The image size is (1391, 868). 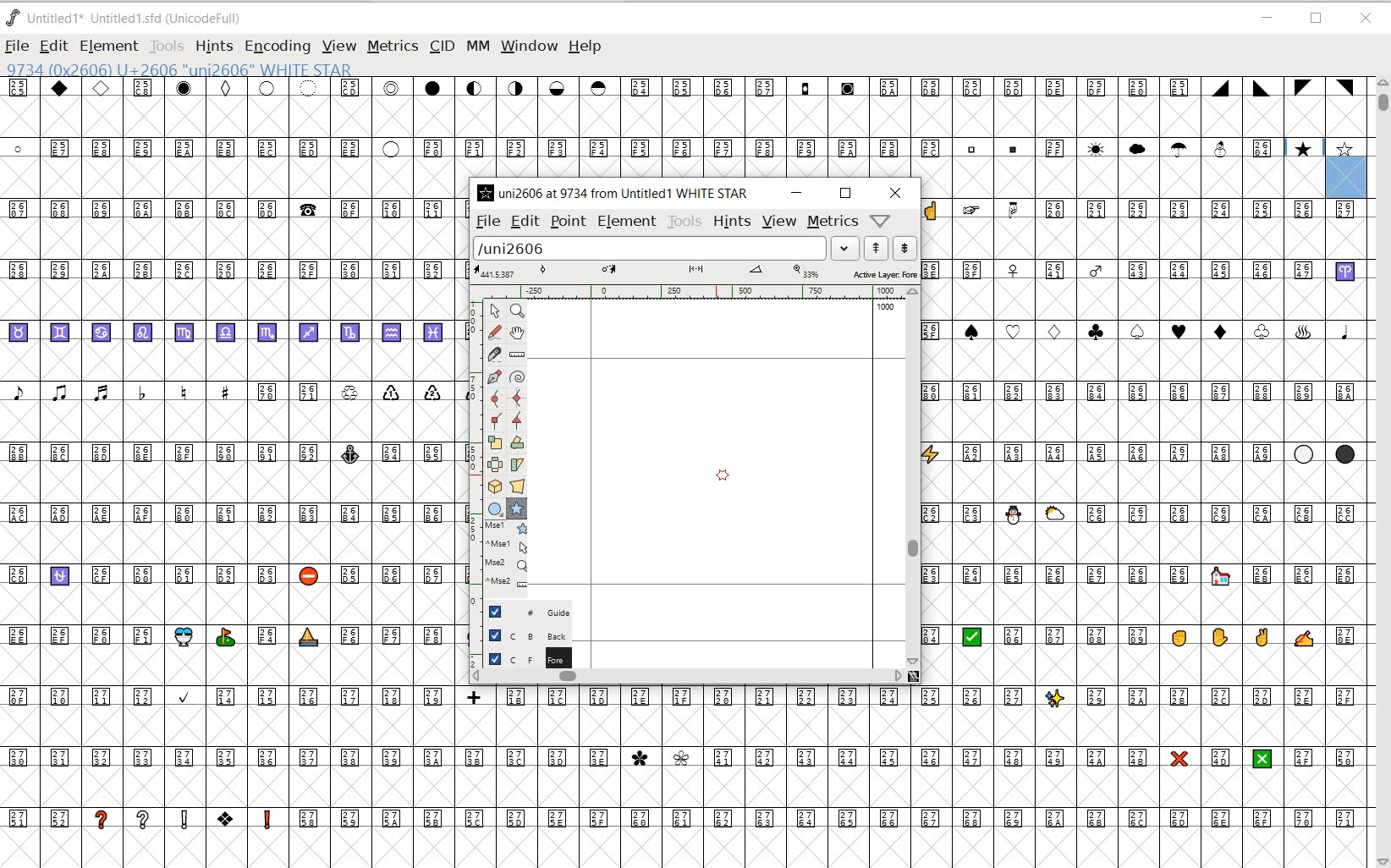 What do you see at coordinates (518, 421) in the screenshot?
I see `ADD A TANGENT POINT` at bounding box center [518, 421].